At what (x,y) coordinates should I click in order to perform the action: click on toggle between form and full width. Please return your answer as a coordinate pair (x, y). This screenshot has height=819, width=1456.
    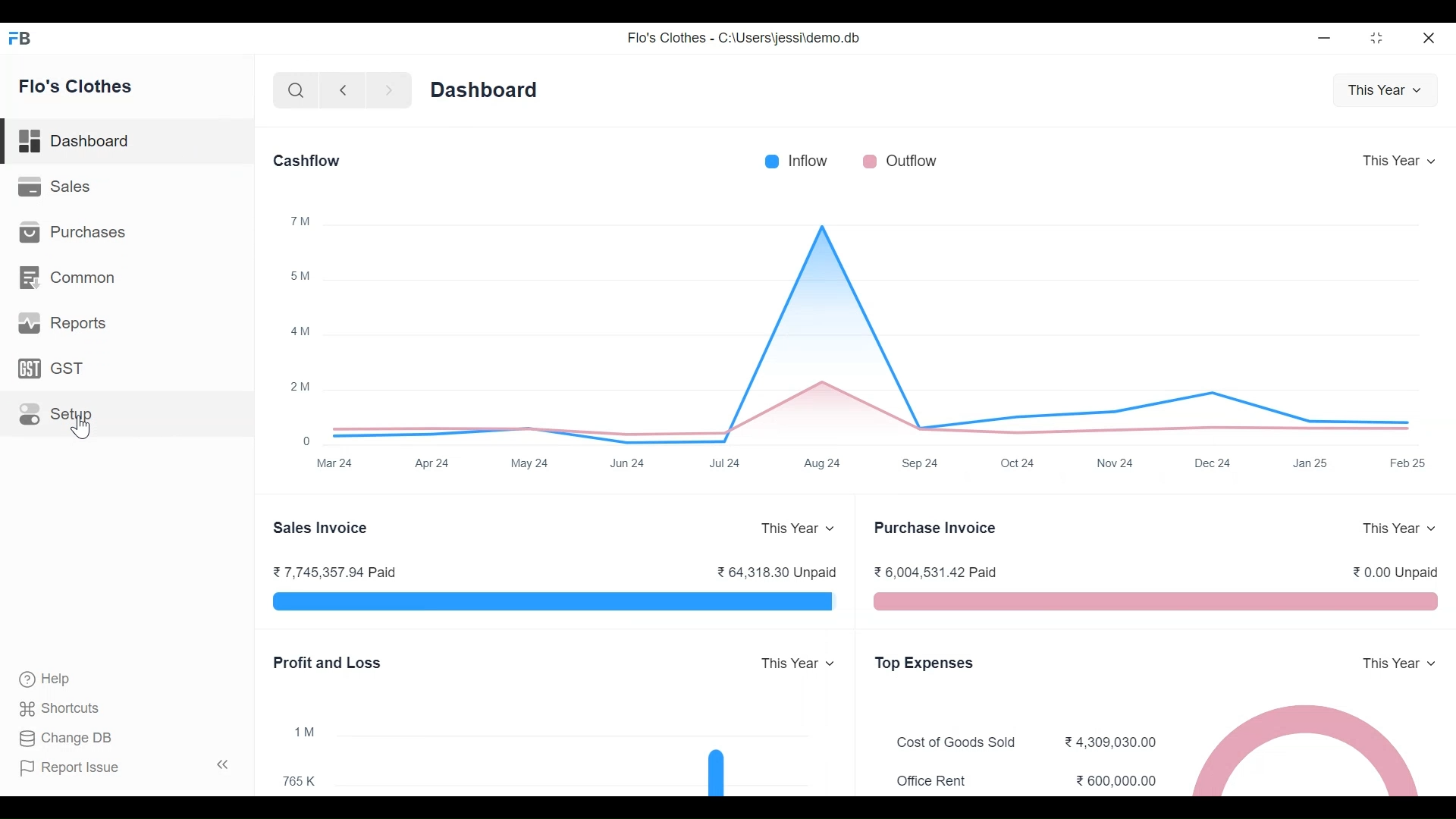
    Looking at the image, I should click on (1377, 38).